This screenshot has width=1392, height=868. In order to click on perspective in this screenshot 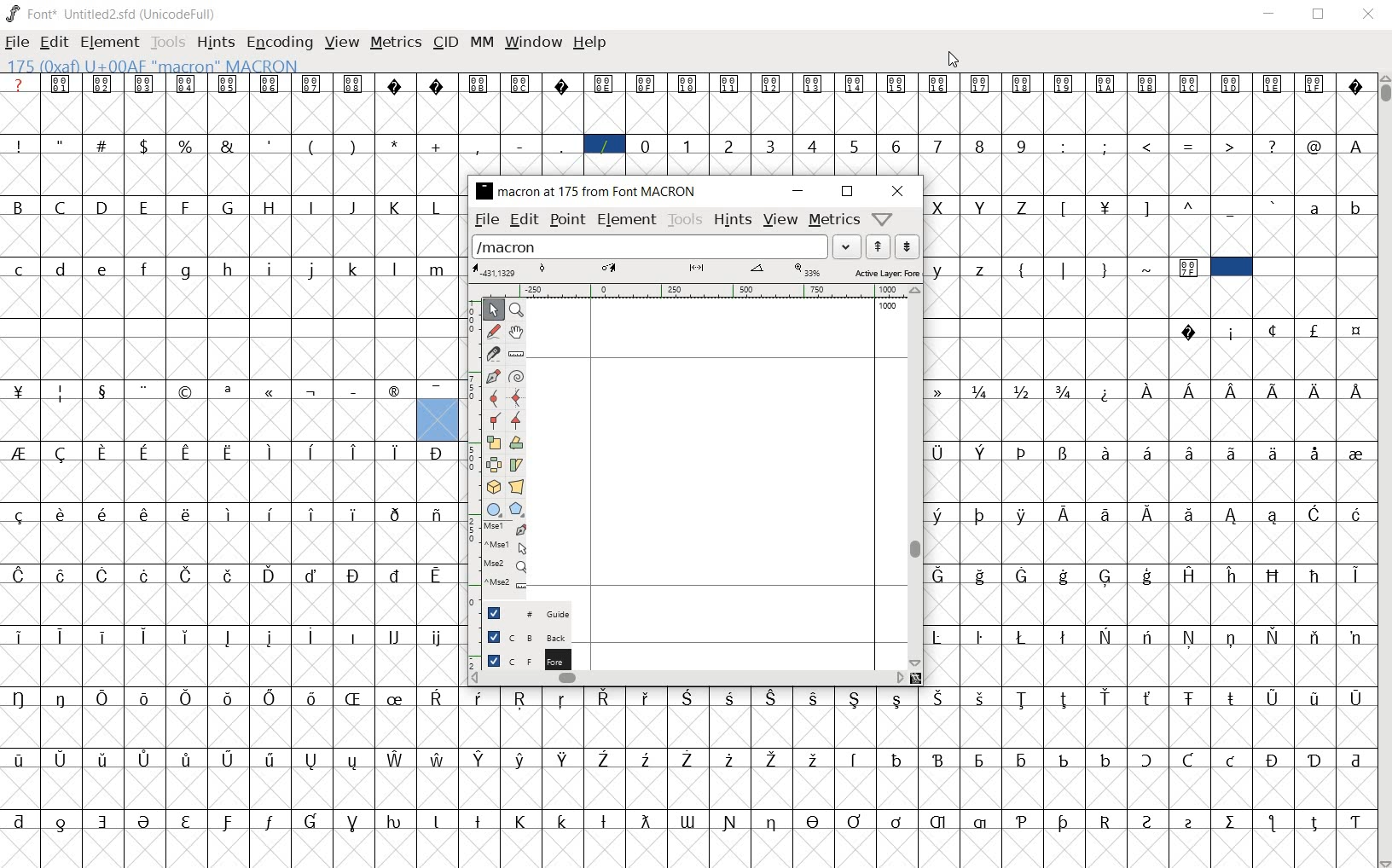, I will do `click(517, 487)`.